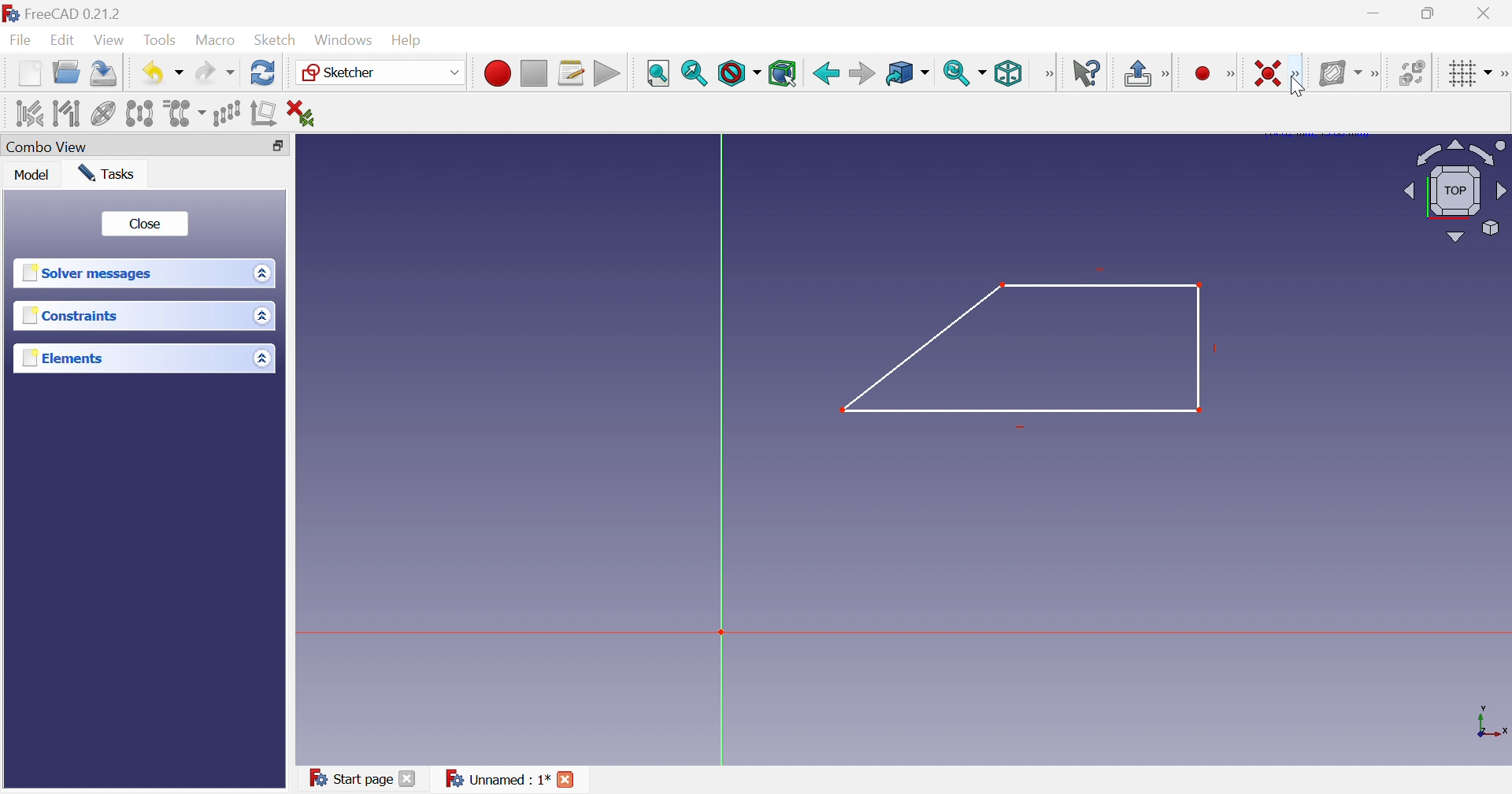  Describe the element at coordinates (35, 176) in the screenshot. I see `Model` at that location.